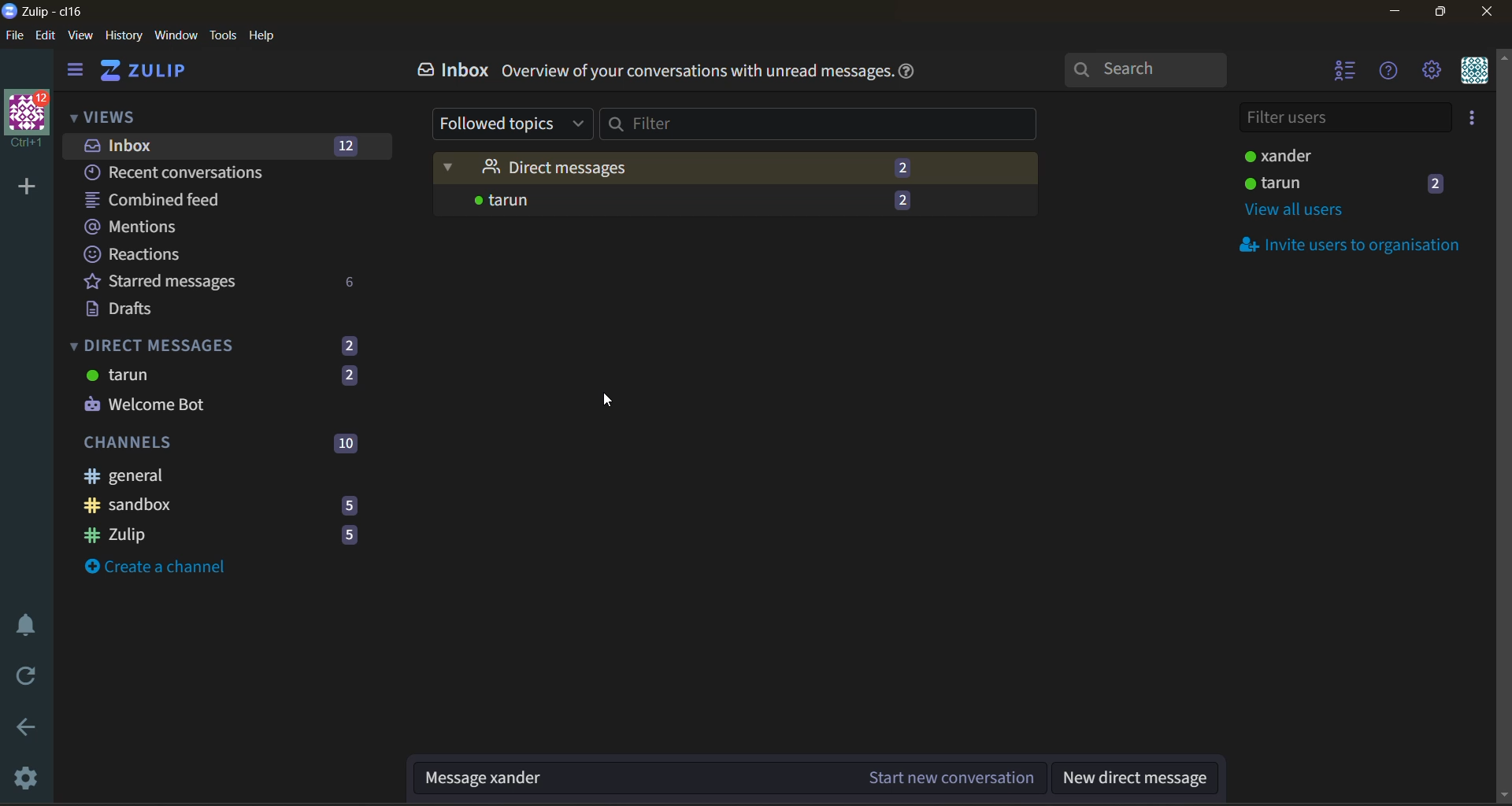 This screenshot has width=1512, height=806. What do you see at coordinates (1443, 10) in the screenshot?
I see `maximize` at bounding box center [1443, 10].